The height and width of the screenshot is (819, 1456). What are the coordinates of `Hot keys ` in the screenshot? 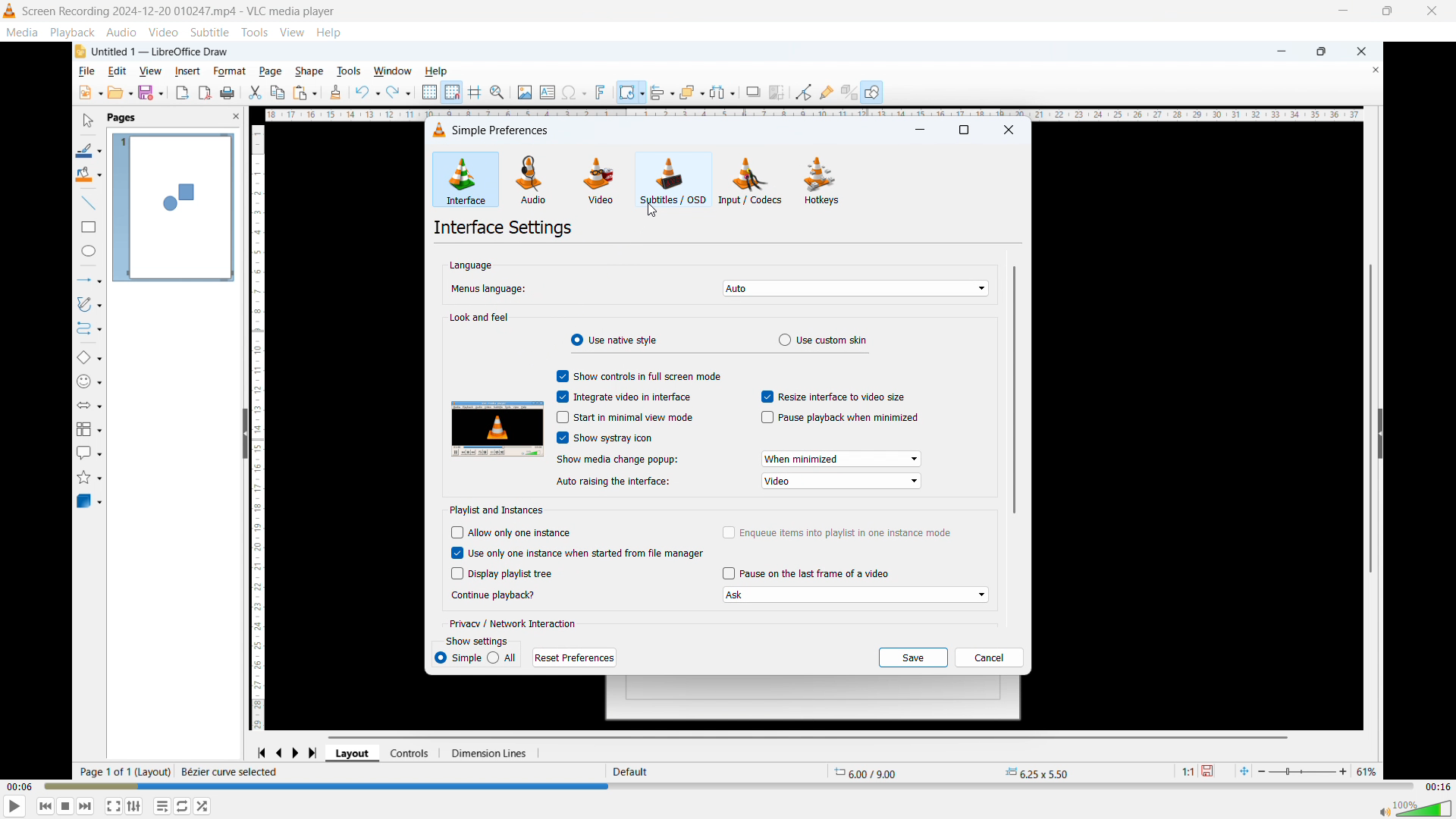 It's located at (821, 180).